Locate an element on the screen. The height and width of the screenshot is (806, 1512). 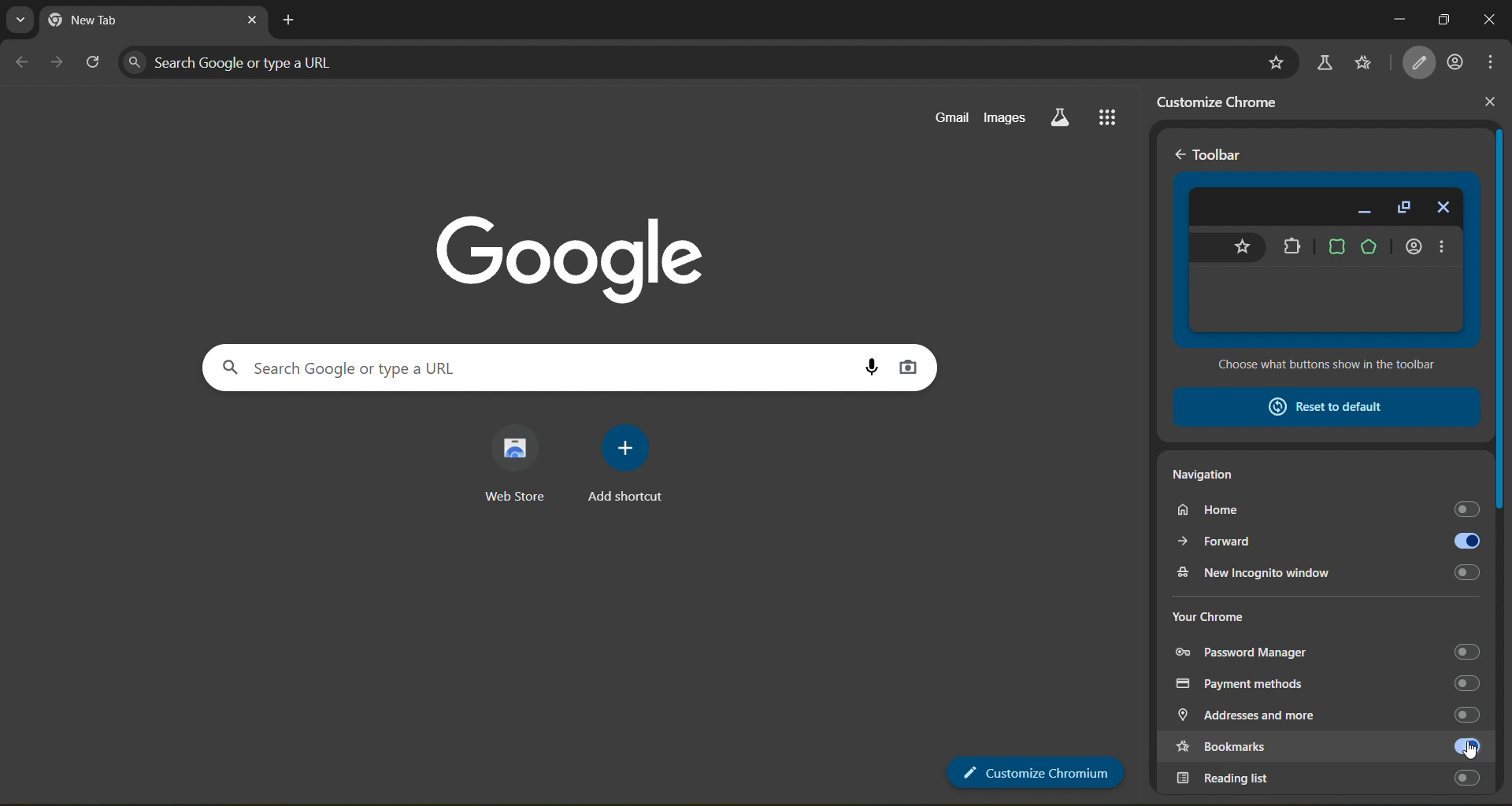
reading list is located at coordinates (1329, 776).